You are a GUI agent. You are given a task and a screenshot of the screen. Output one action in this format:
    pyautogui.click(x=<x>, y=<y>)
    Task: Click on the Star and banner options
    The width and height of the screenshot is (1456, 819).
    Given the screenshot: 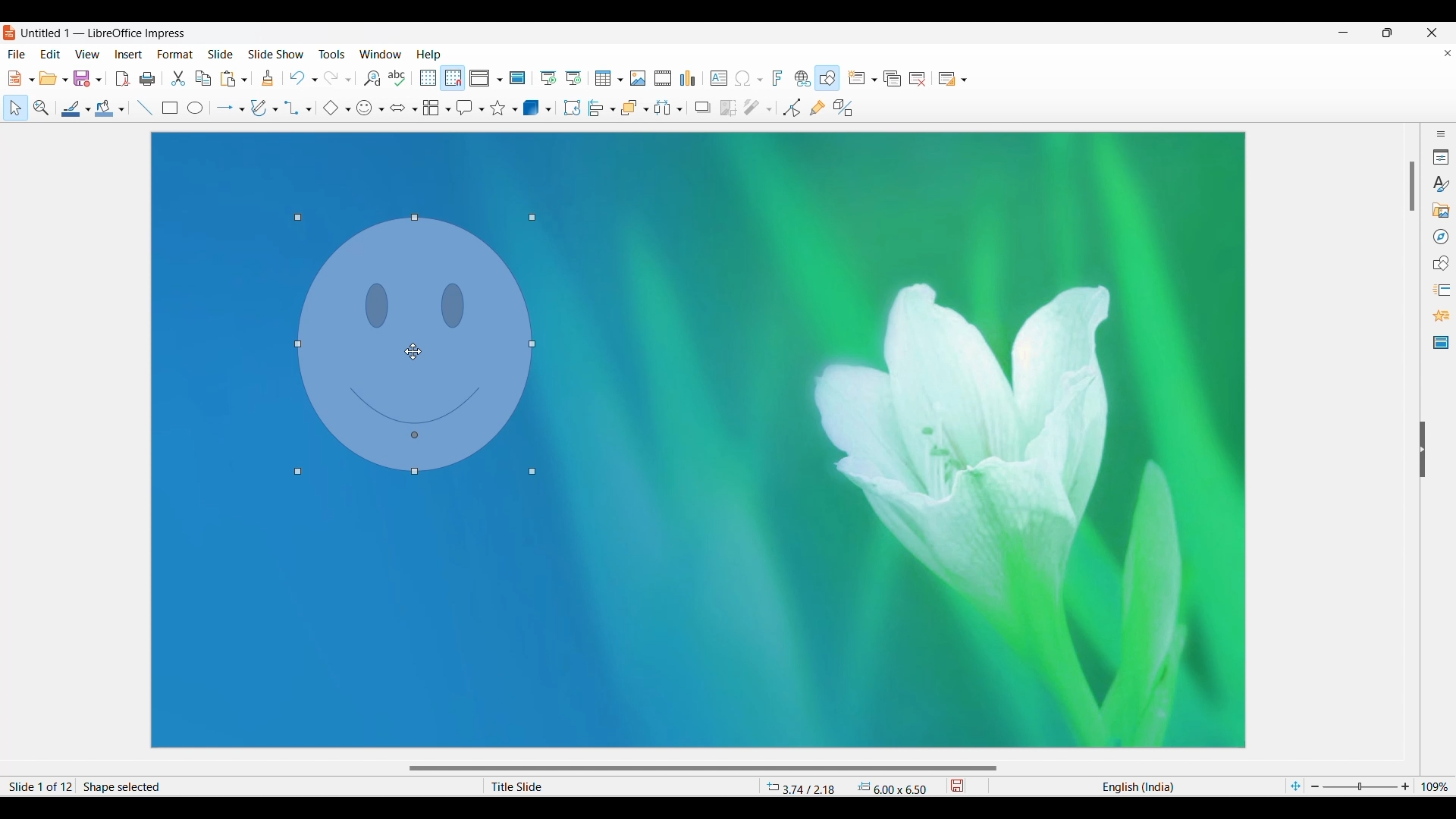 What is the action you would take?
    pyautogui.click(x=515, y=110)
    